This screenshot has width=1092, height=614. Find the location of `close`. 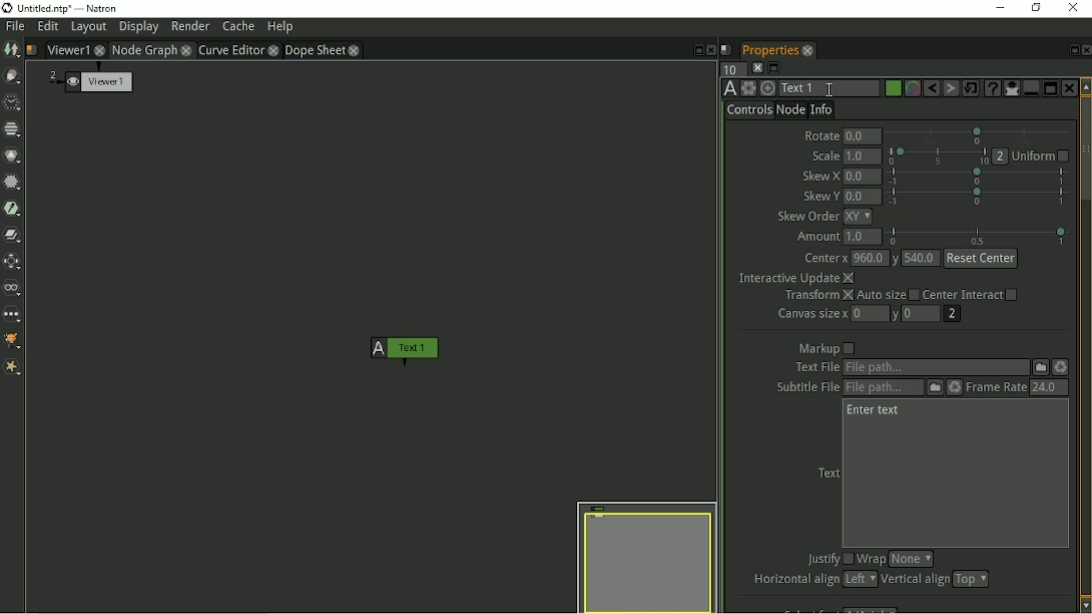

close is located at coordinates (356, 51).